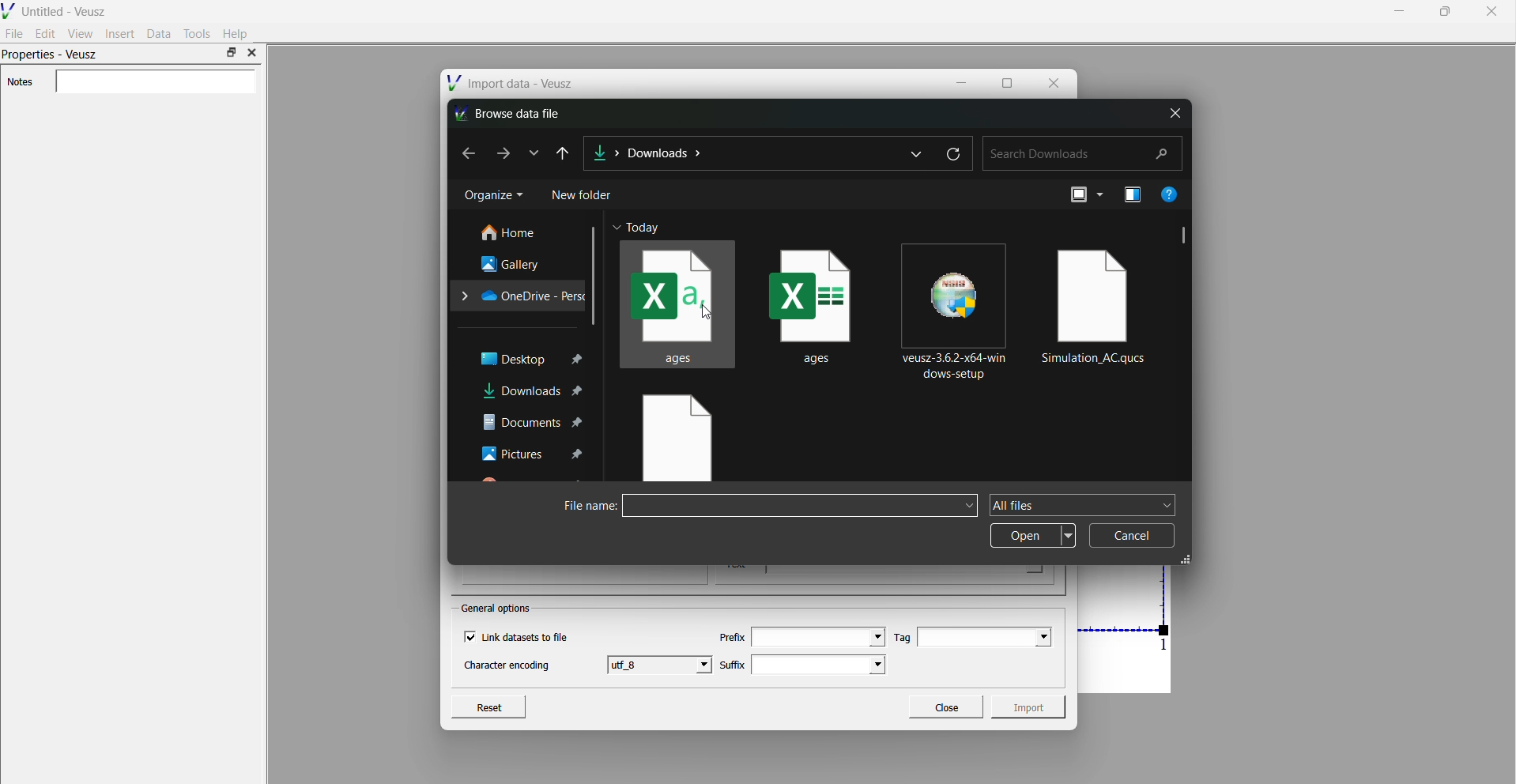 The width and height of the screenshot is (1516, 784). I want to click on File name:, so click(579, 507).